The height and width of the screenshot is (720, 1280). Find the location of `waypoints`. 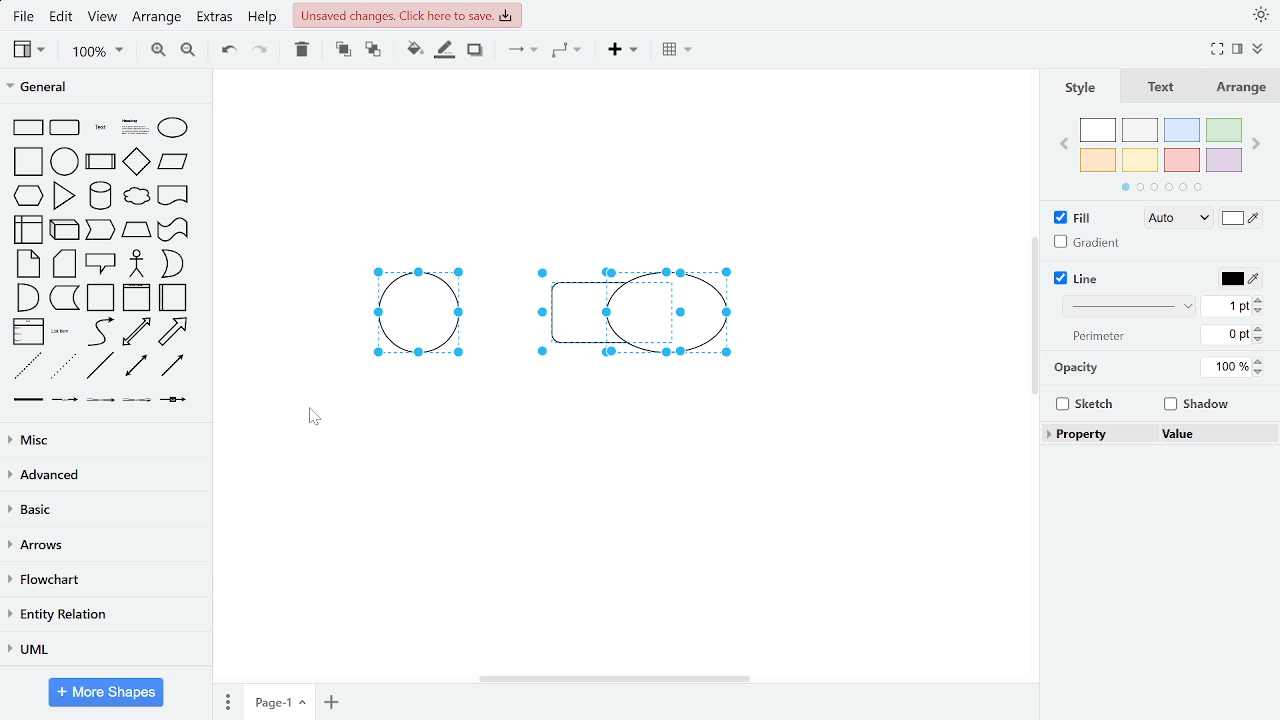

waypoints is located at coordinates (567, 52).